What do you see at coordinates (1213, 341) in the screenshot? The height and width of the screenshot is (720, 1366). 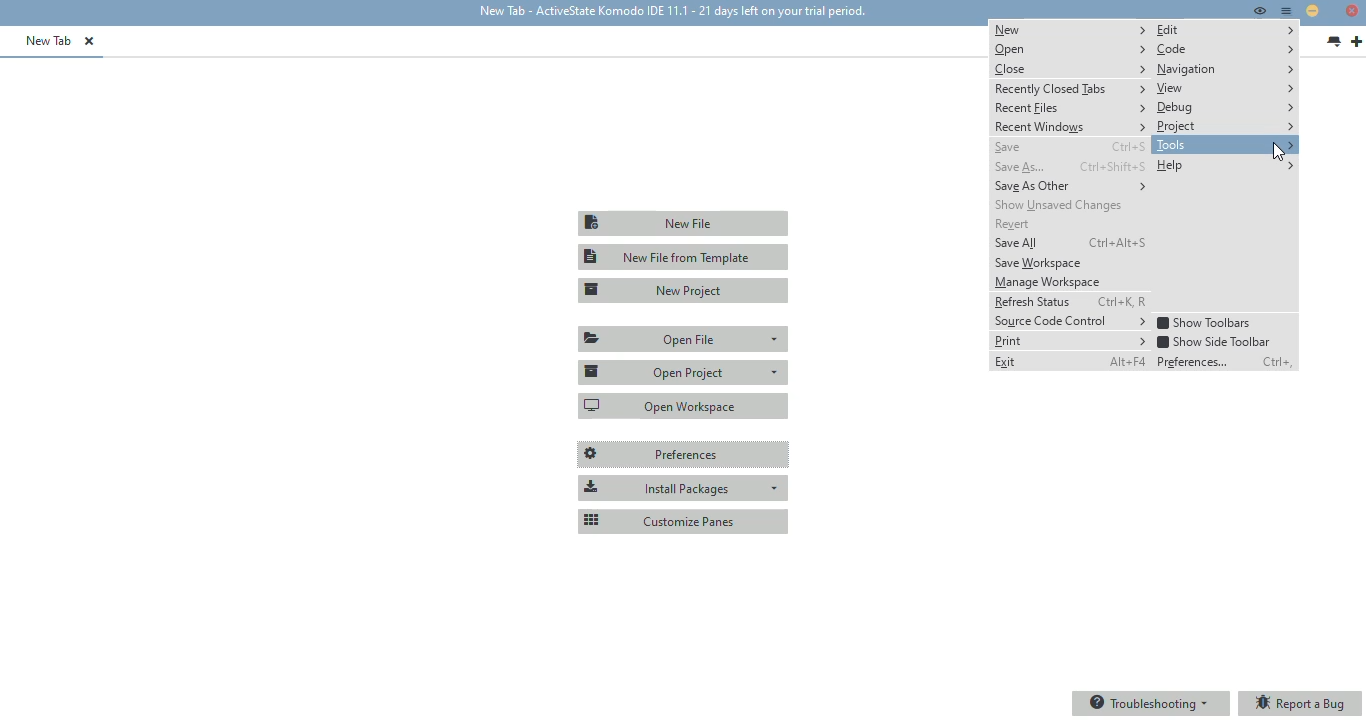 I see `show side toolbar` at bounding box center [1213, 341].